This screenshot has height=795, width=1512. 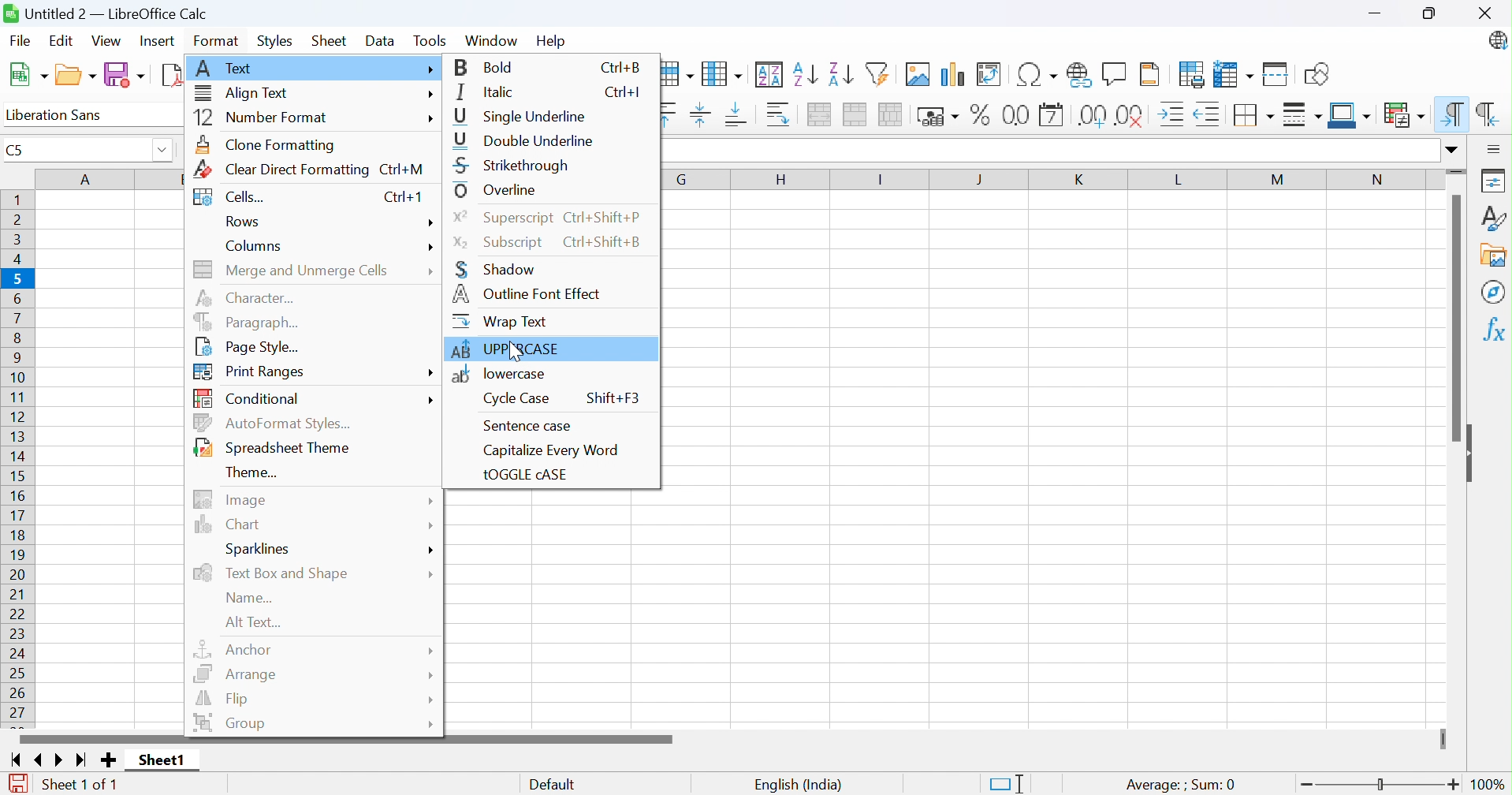 I want to click on Insert, so click(x=156, y=41).